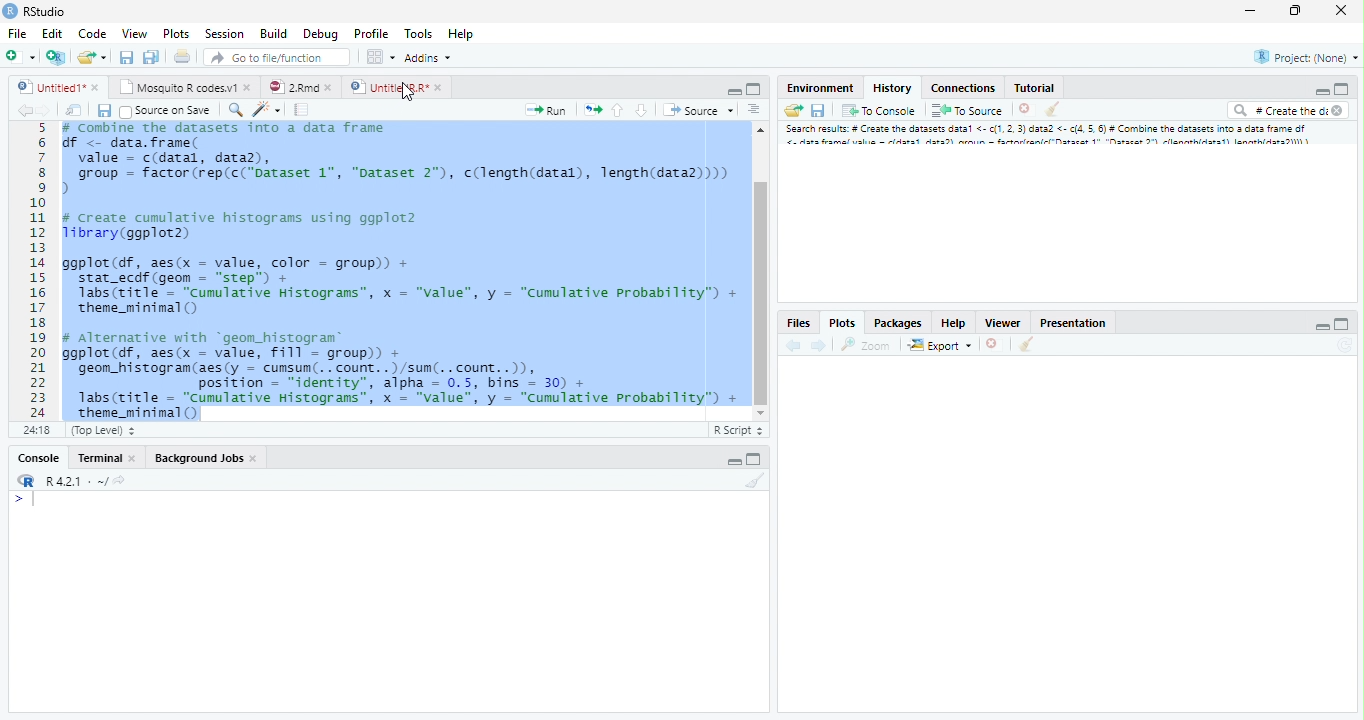 The image size is (1364, 720). What do you see at coordinates (546, 110) in the screenshot?
I see `Run` at bounding box center [546, 110].